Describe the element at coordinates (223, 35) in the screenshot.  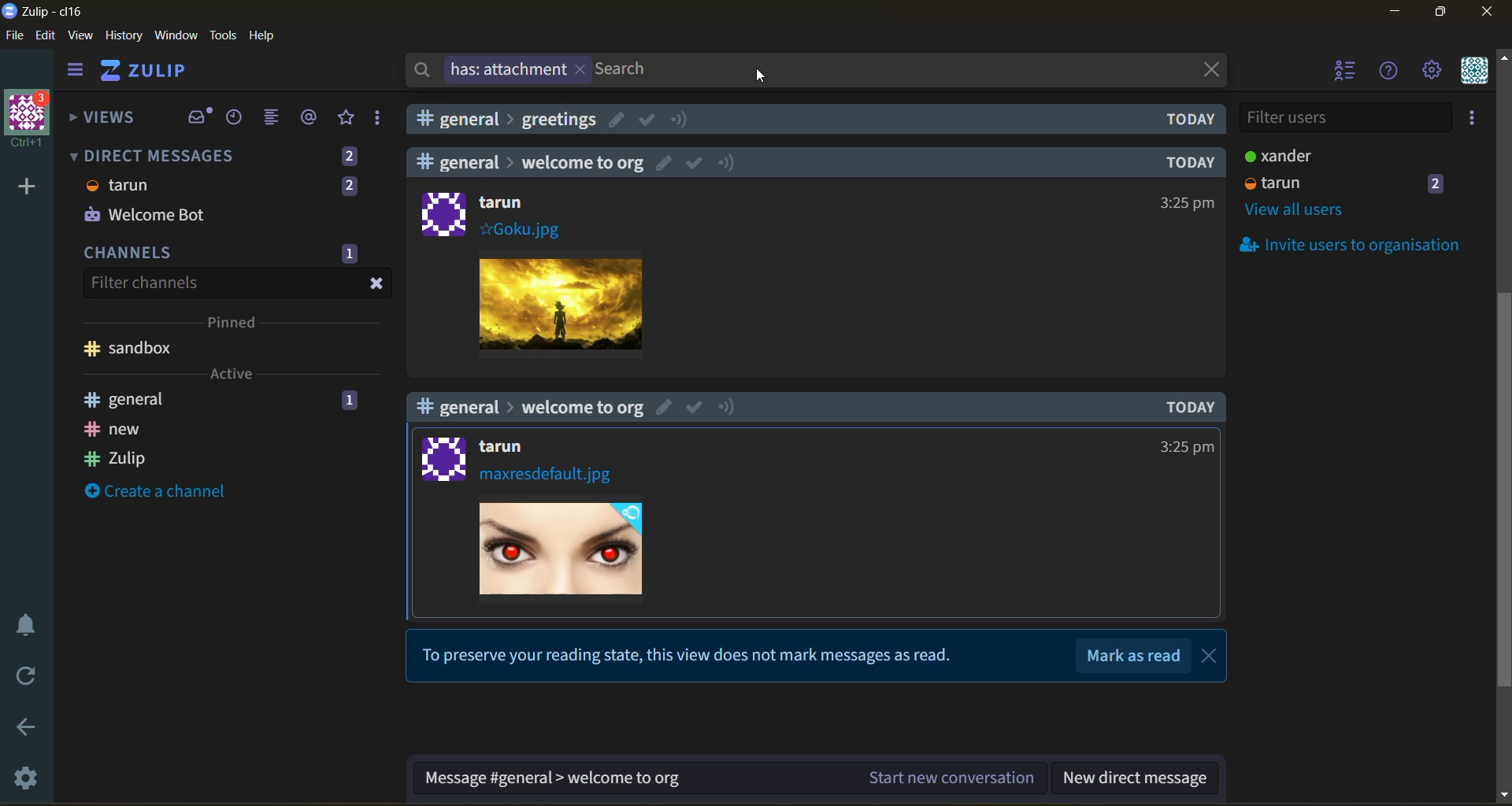
I see `tools` at that location.